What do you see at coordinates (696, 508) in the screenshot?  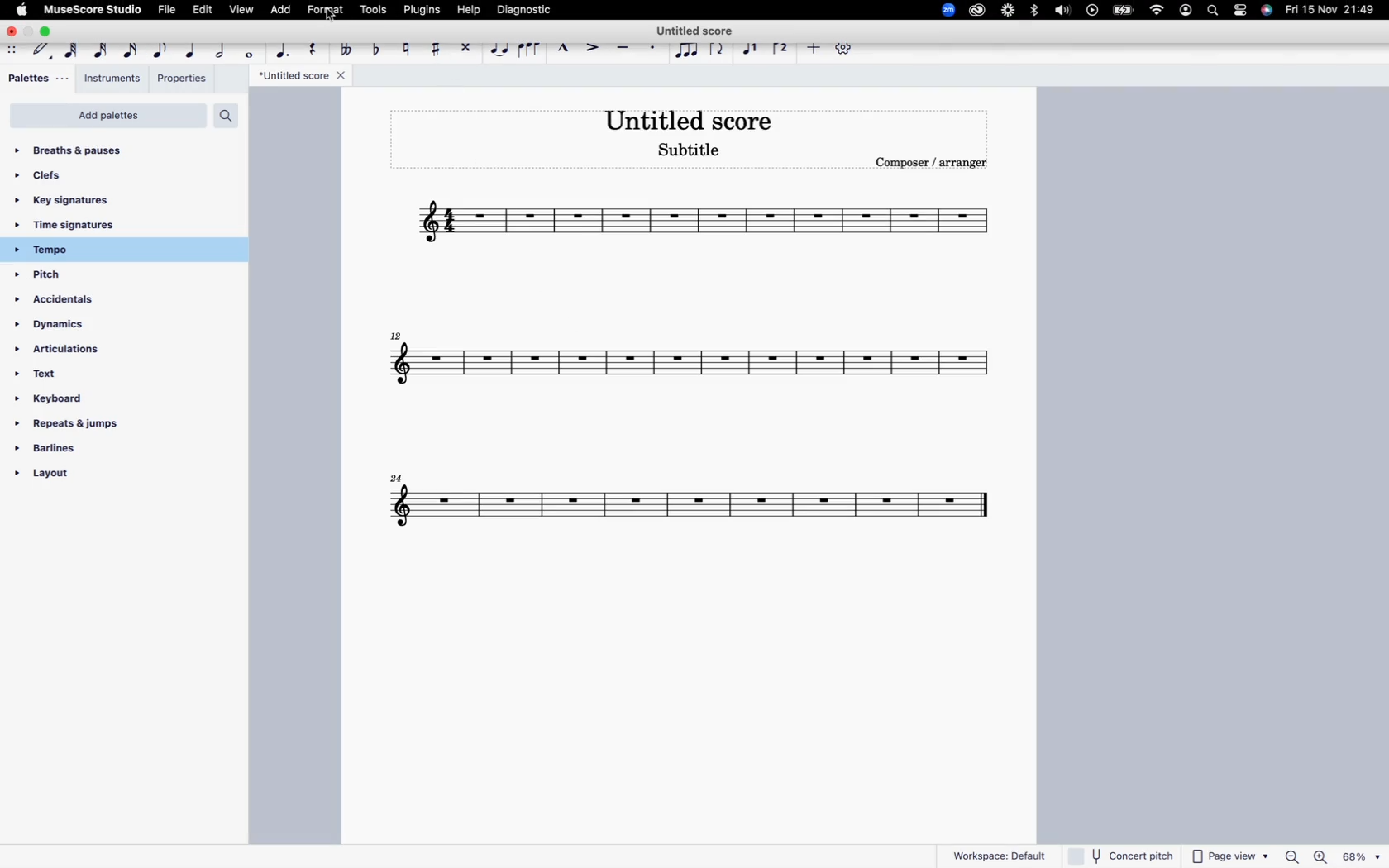 I see `score` at bounding box center [696, 508].